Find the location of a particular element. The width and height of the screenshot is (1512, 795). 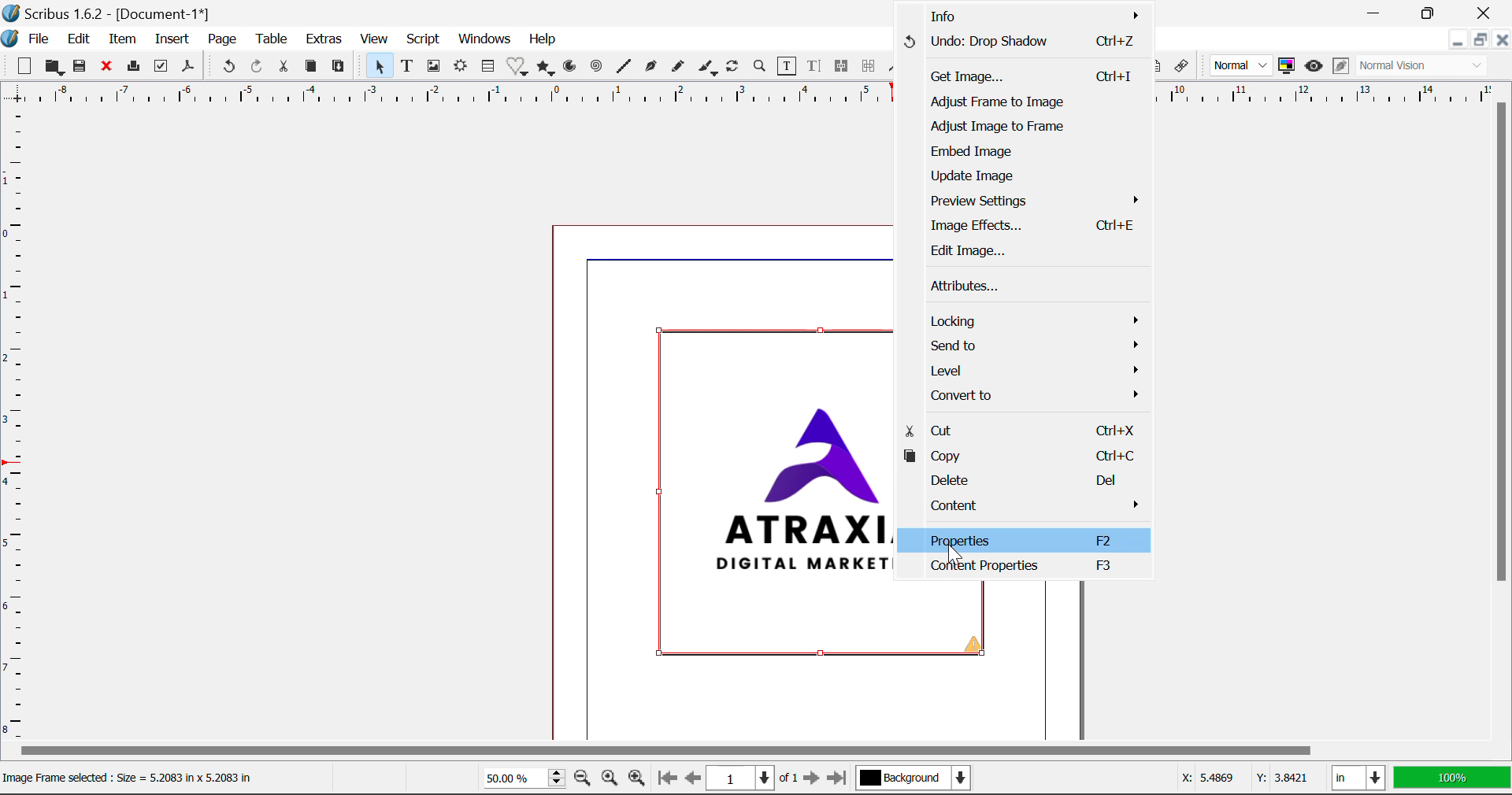

Undo: Drop Shadow is located at coordinates (1020, 47).